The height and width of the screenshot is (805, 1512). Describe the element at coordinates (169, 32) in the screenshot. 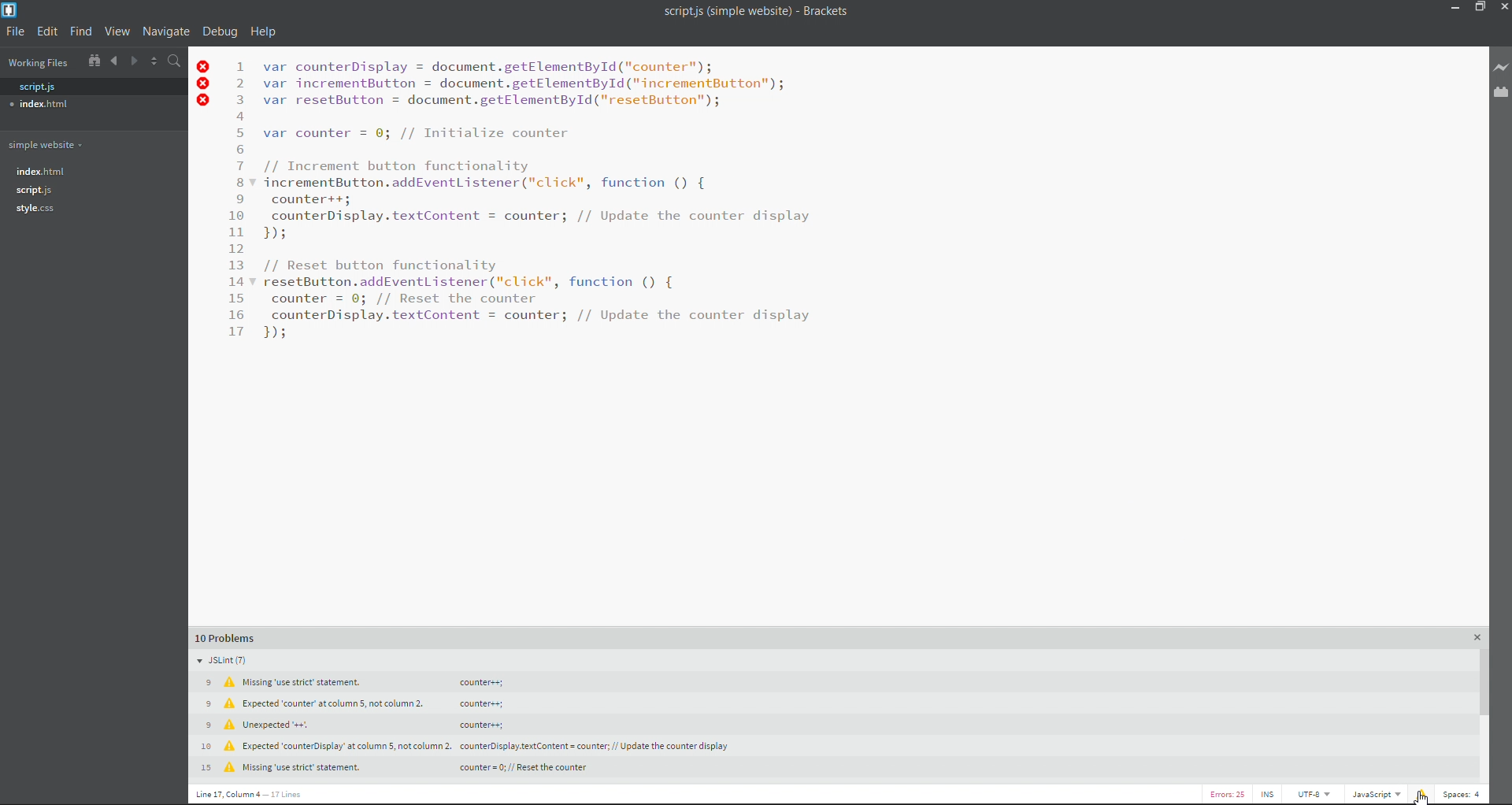

I see `navigate` at that location.